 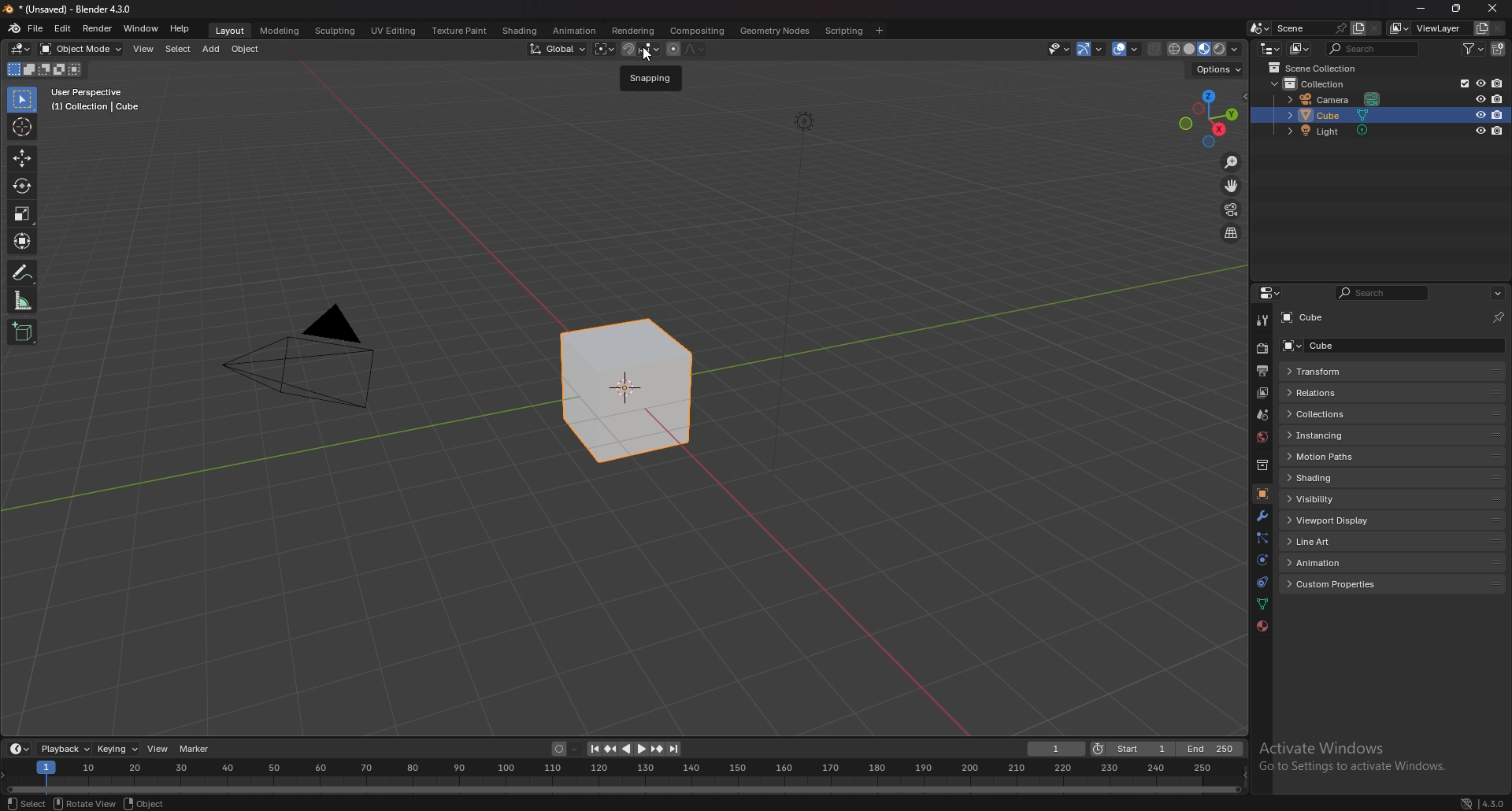 What do you see at coordinates (23, 300) in the screenshot?
I see `measure` at bounding box center [23, 300].